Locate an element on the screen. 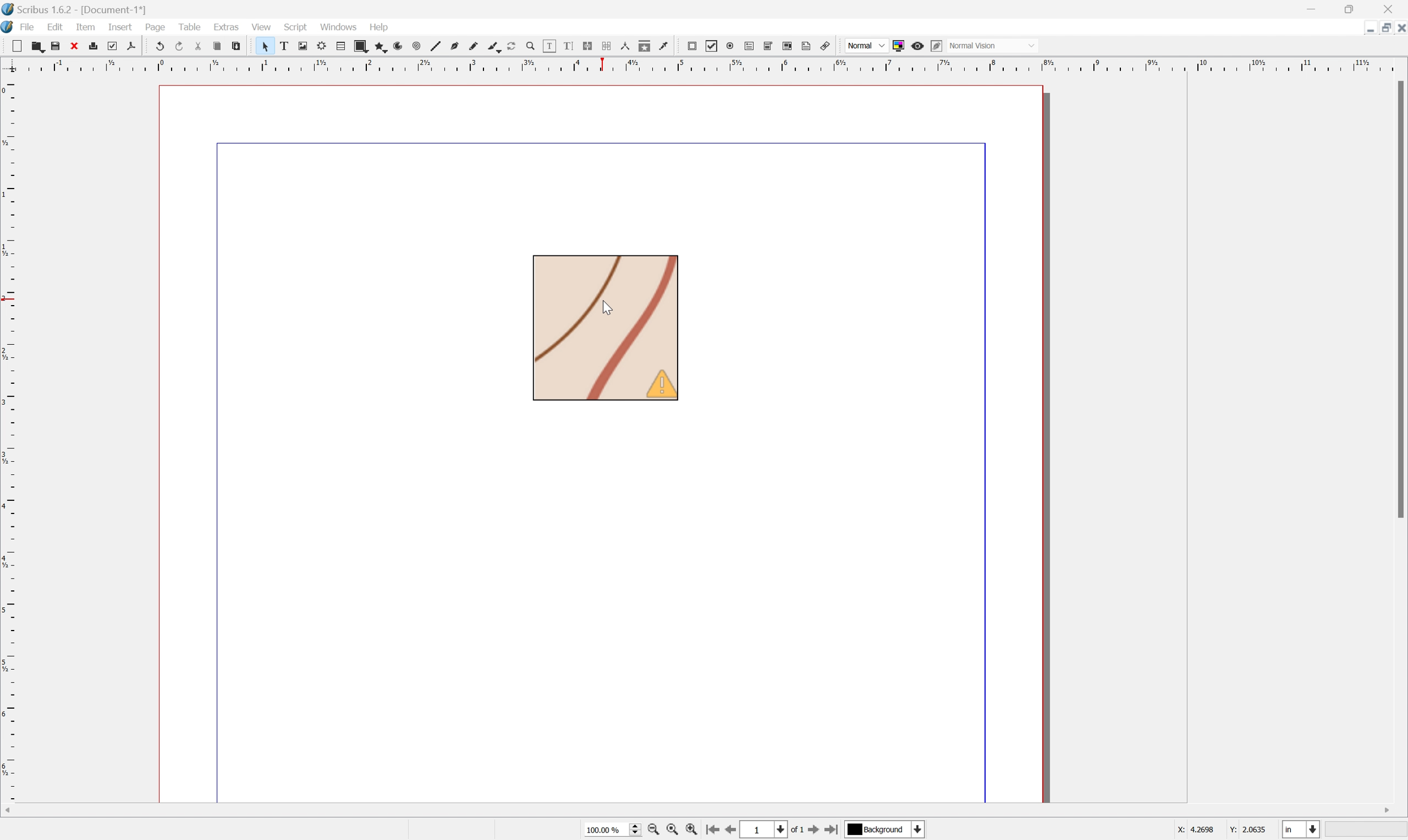  Script is located at coordinates (298, 25).